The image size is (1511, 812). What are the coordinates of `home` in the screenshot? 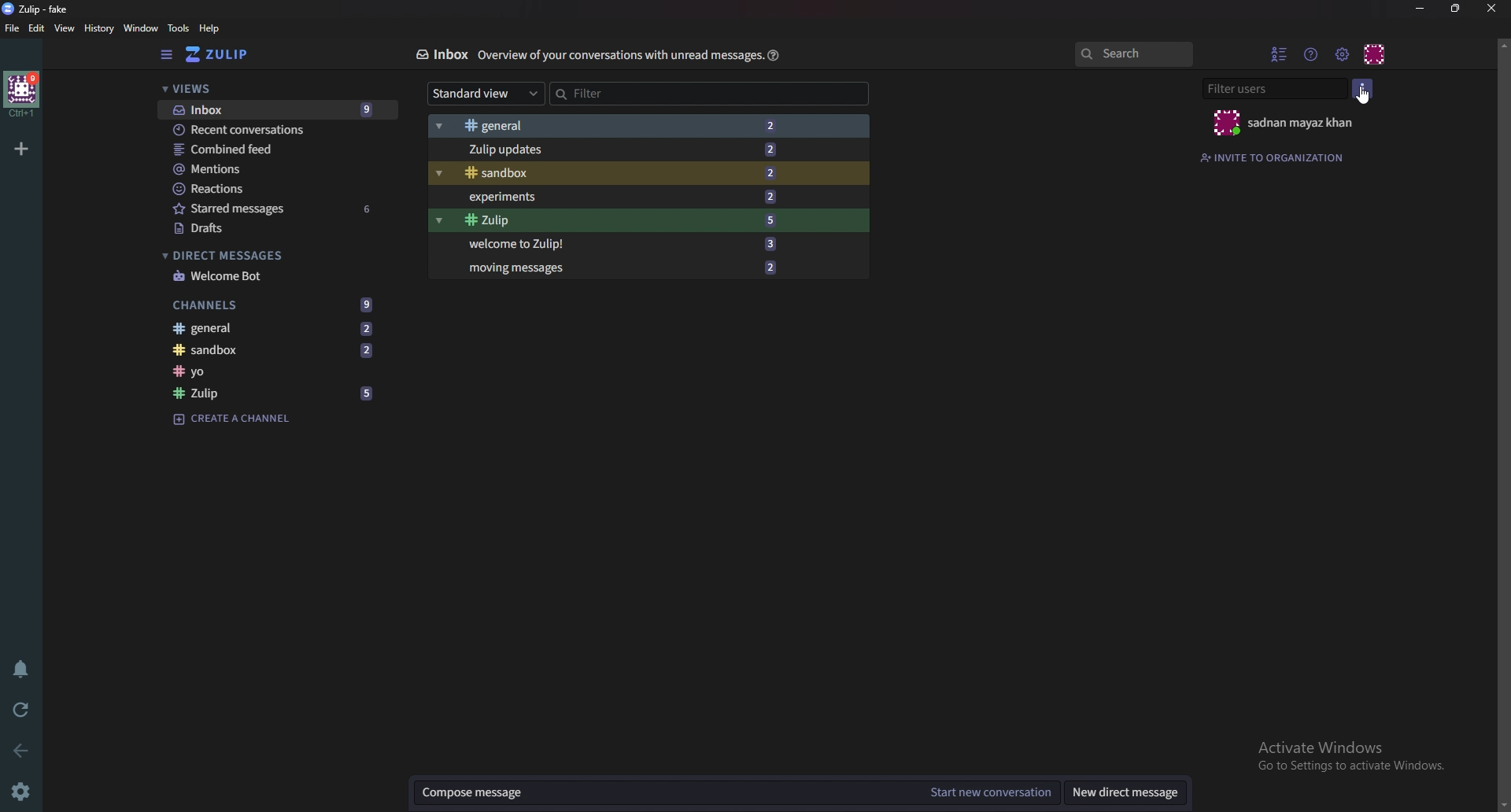 It's located at (22, 94).